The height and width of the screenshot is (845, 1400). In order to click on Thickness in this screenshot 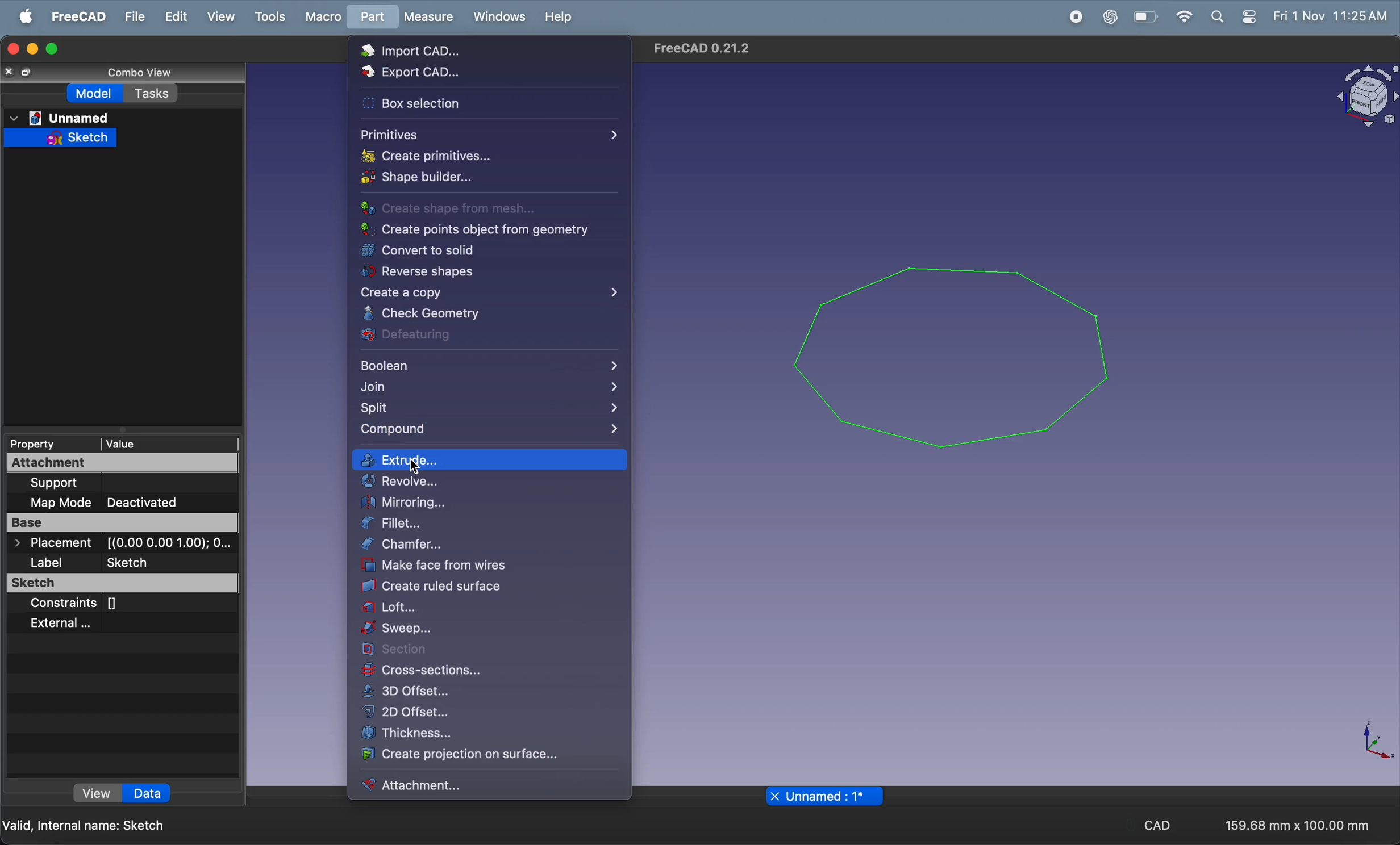, I will do `click(487, 737)`.